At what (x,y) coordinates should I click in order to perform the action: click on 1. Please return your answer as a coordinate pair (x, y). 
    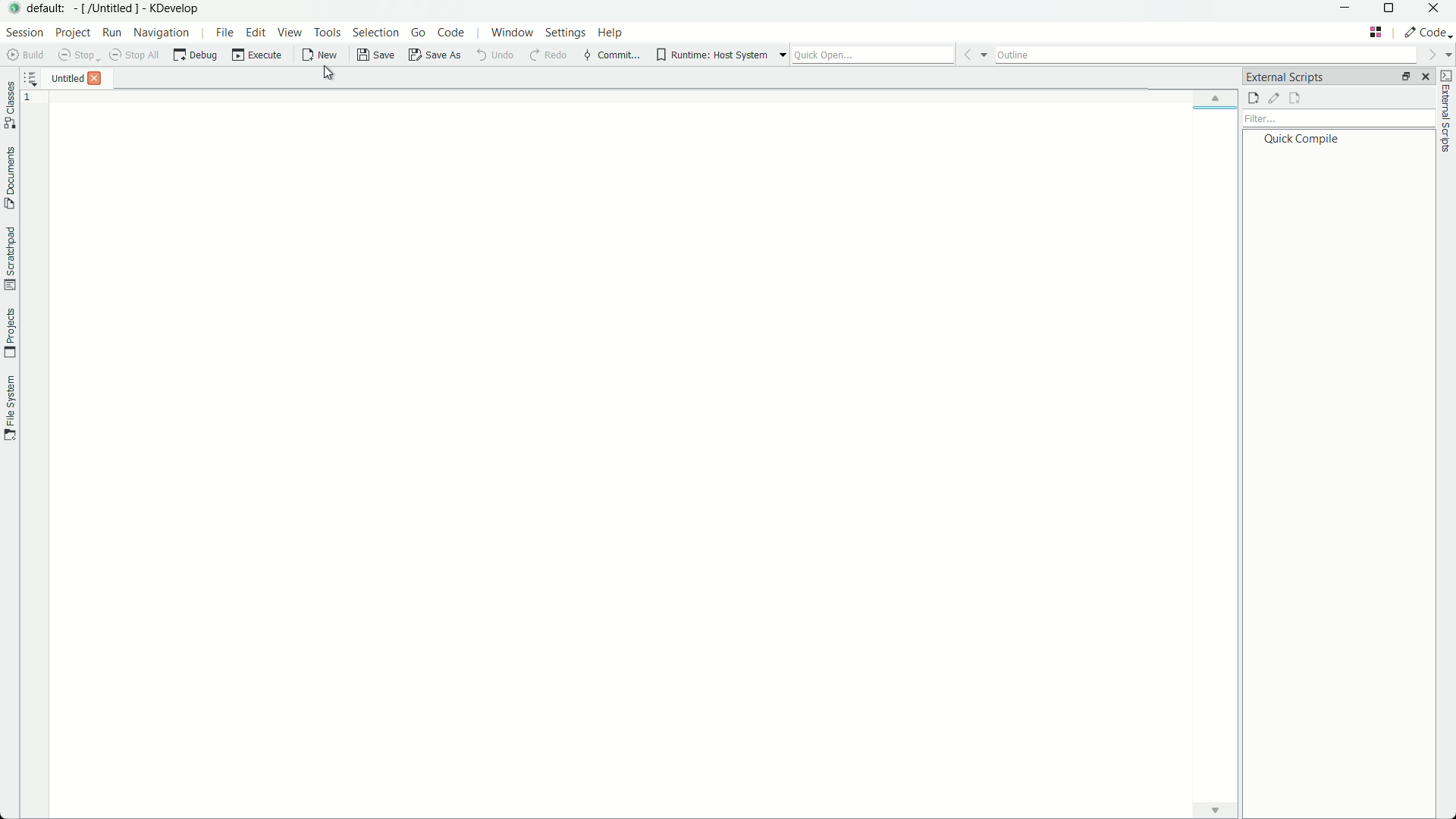
    Looking at the image, I should click on (31, 101).